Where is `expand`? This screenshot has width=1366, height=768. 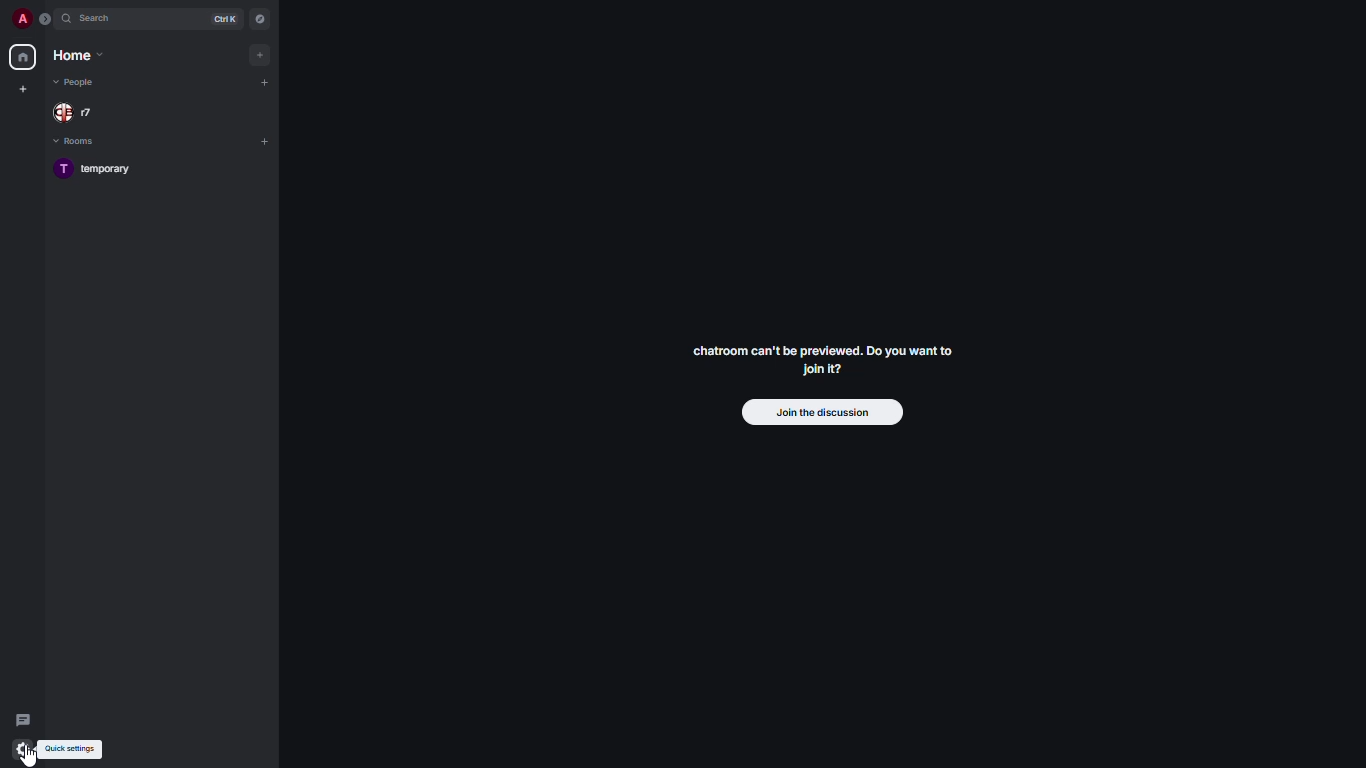
expand is located at coordinates (45, 20).